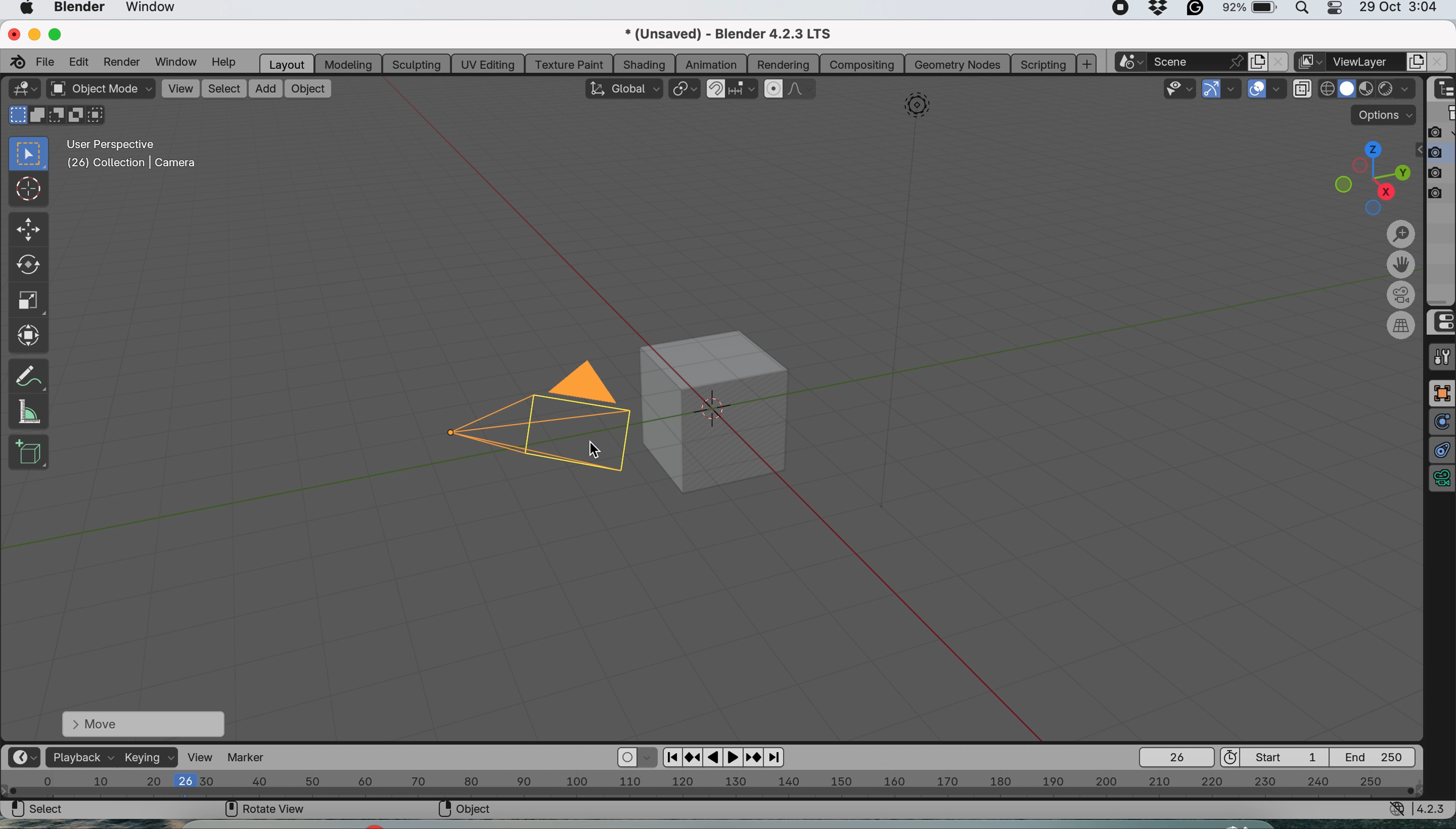  What do you see at coordinates (15, 61) in the screenshot?
I see `blender logo` at bounding box center [15, 61].